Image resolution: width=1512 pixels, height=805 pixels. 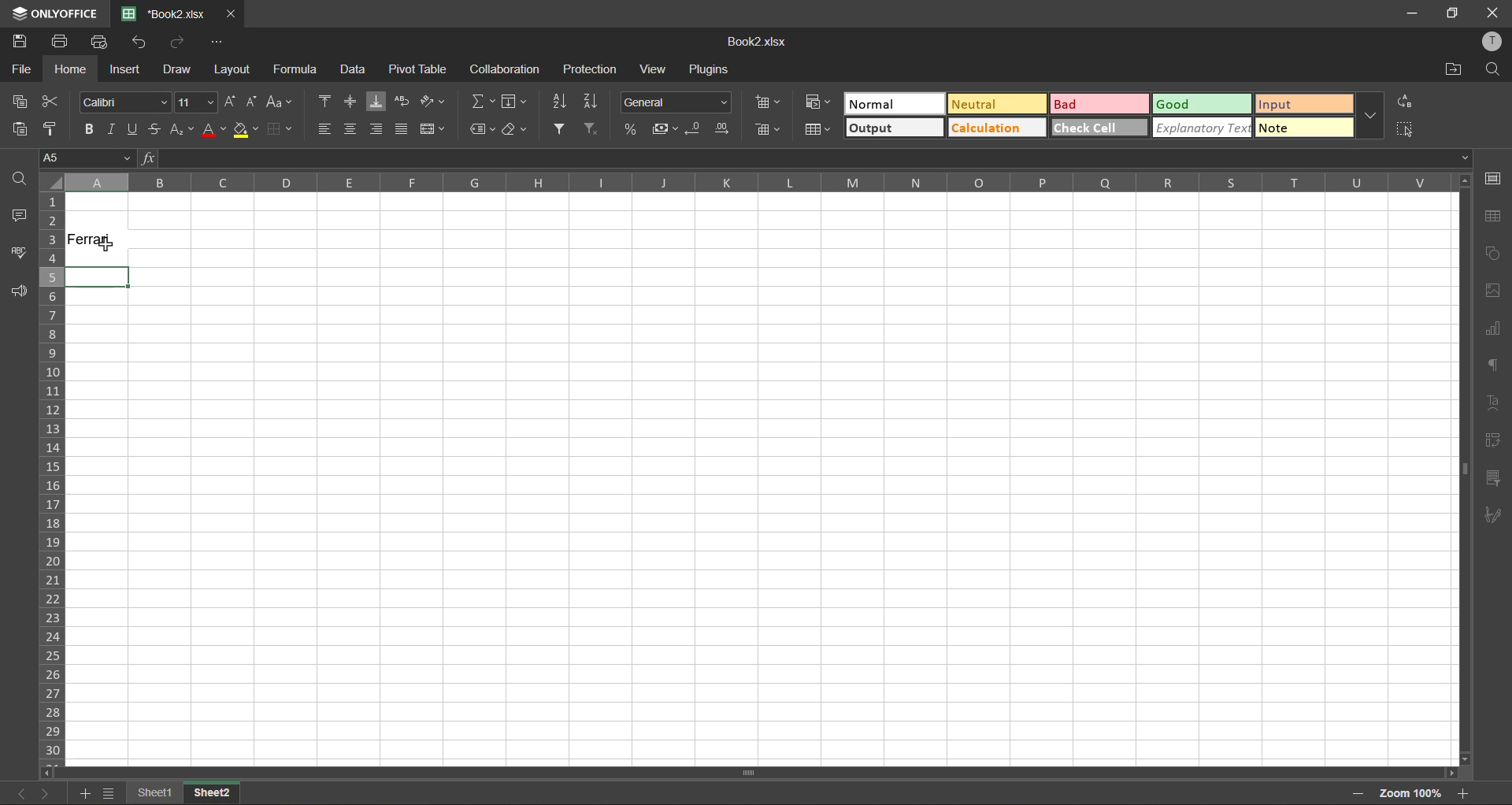 I want to click on note, so click(x=1308, y=129).